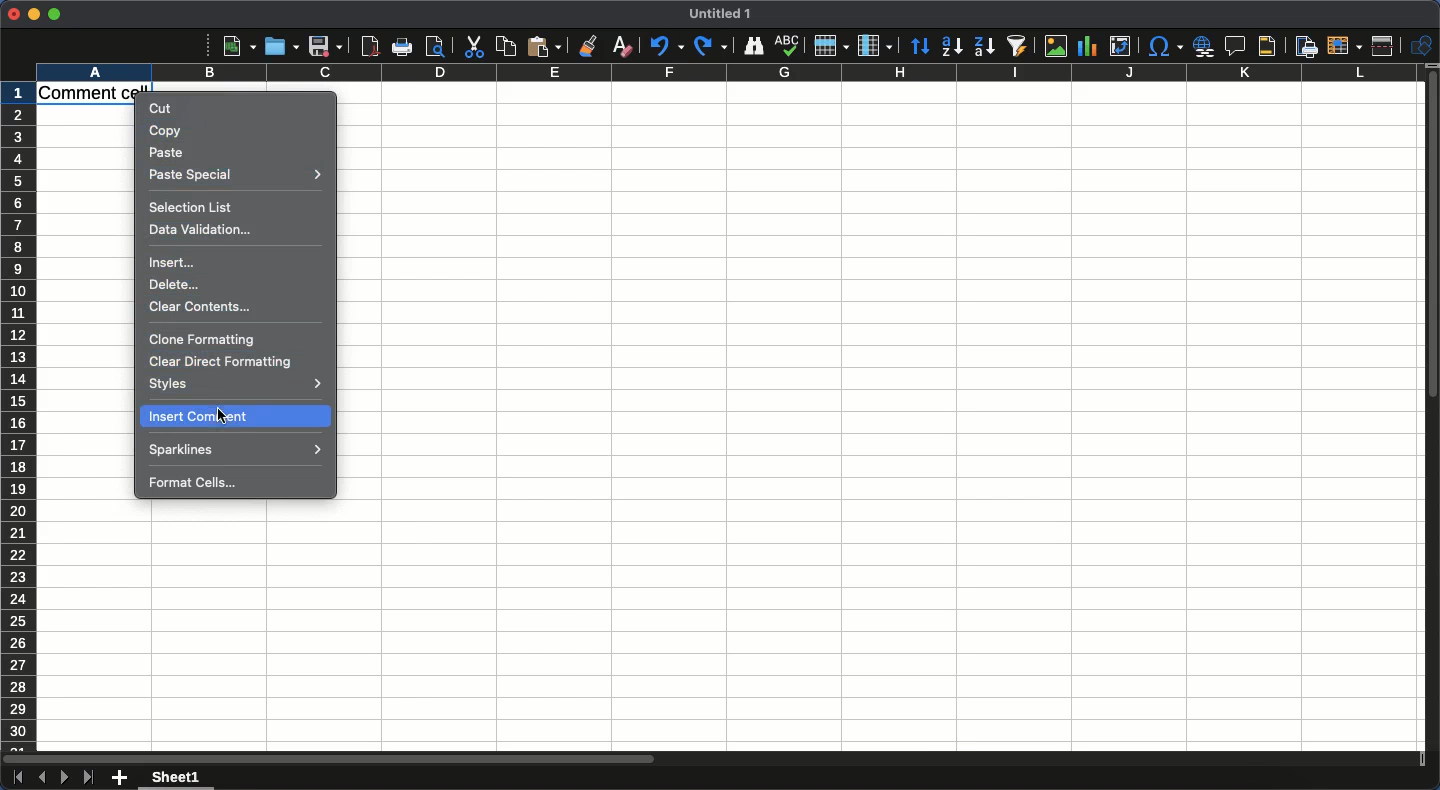  Describe the element at coordinates (949, 45) in the screenshot. I see `Ascending` at that location.